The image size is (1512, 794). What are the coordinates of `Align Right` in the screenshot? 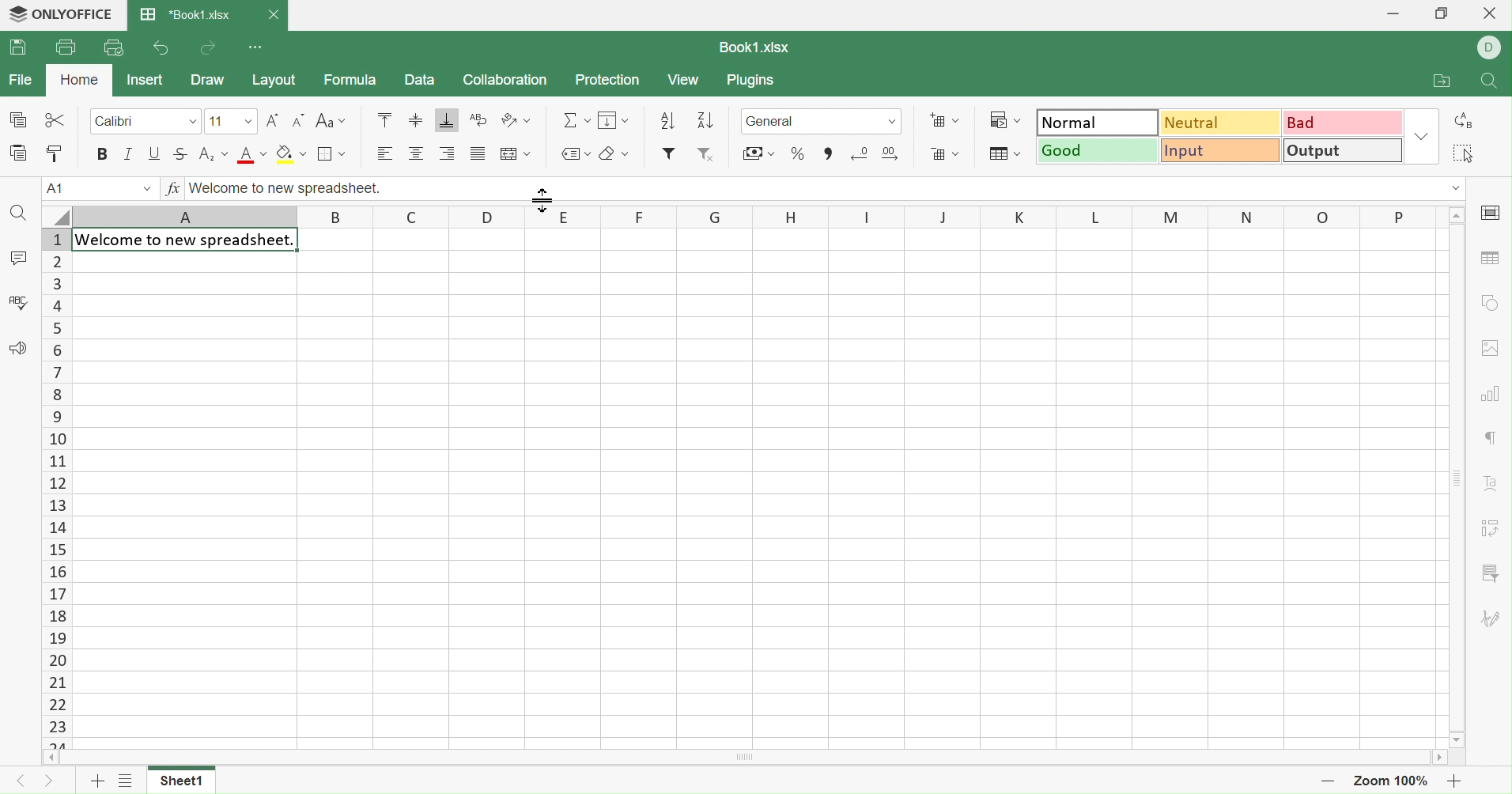 It's located at (451, 153).